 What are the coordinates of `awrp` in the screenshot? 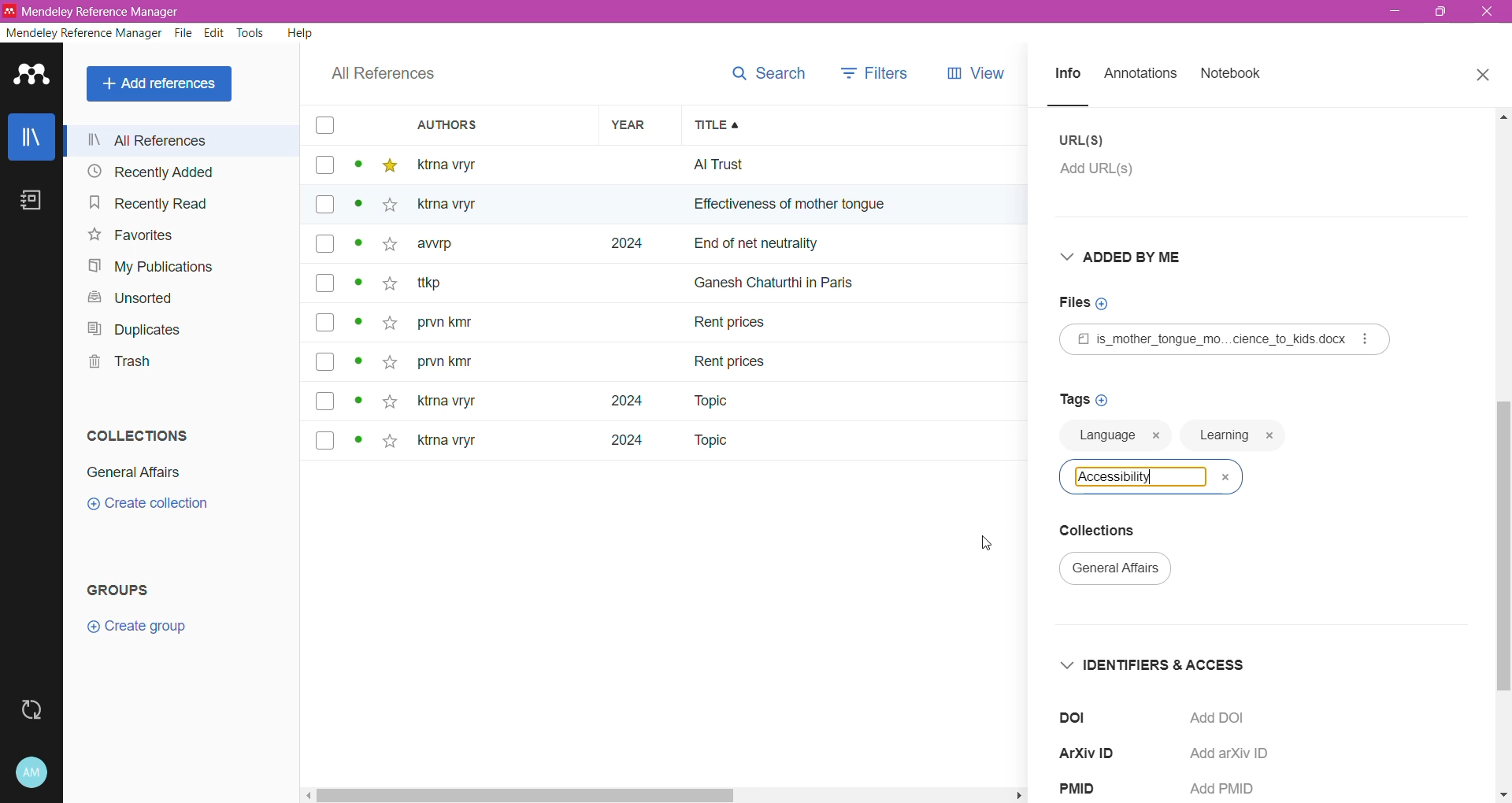 It's located at (447, 249).